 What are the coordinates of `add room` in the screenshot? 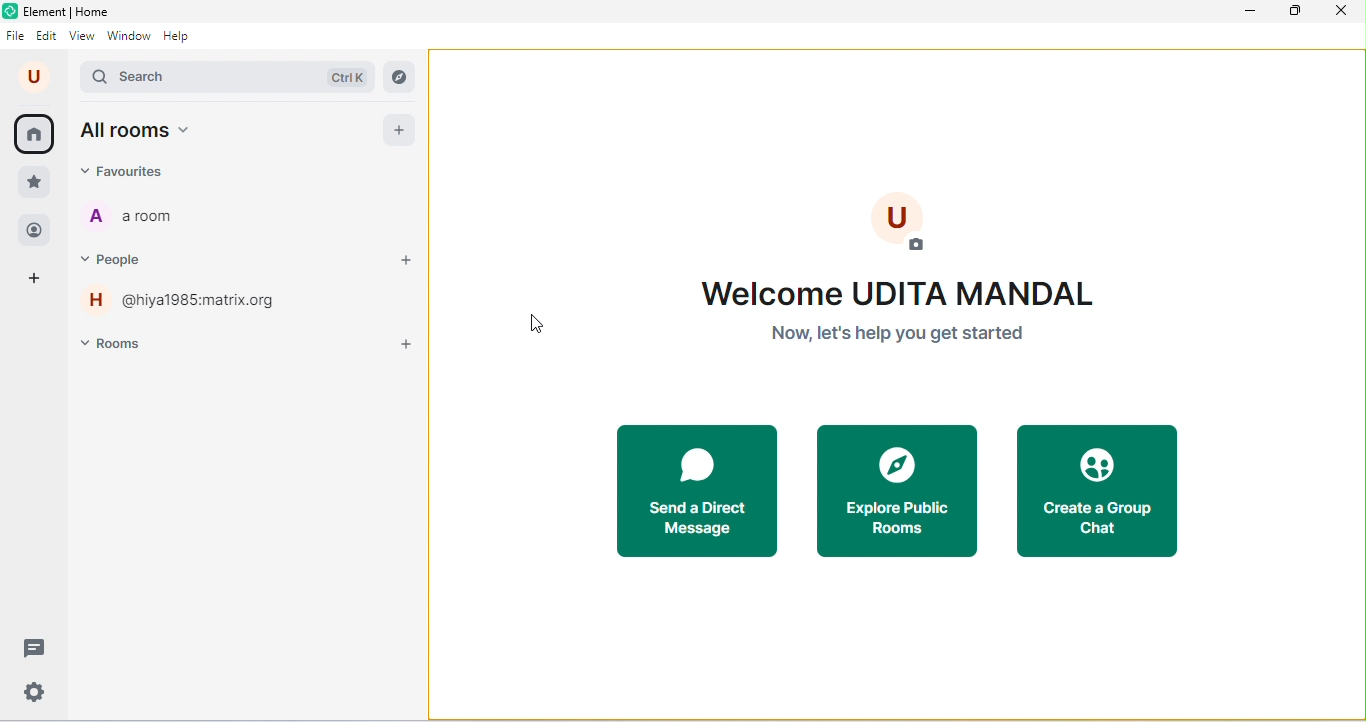 It's located at (406, 344).